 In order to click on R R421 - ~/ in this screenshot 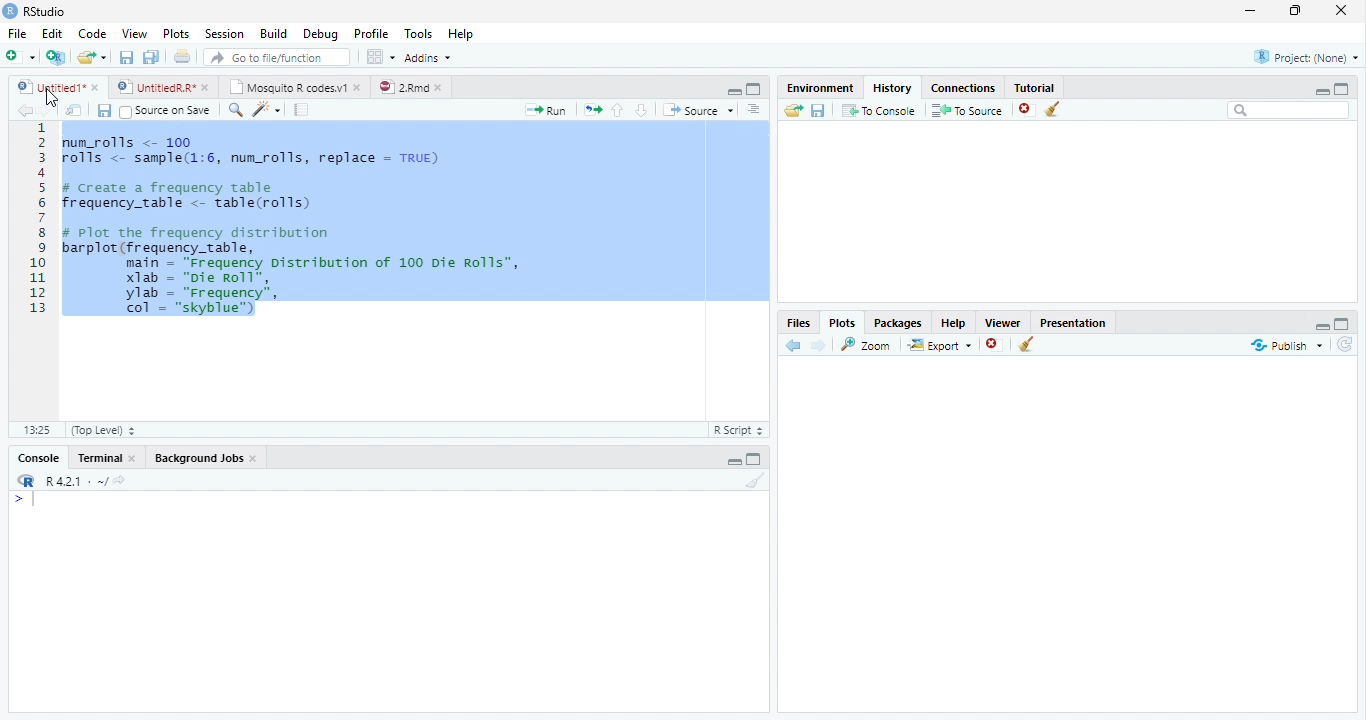, I will do `click(69, 481)`.